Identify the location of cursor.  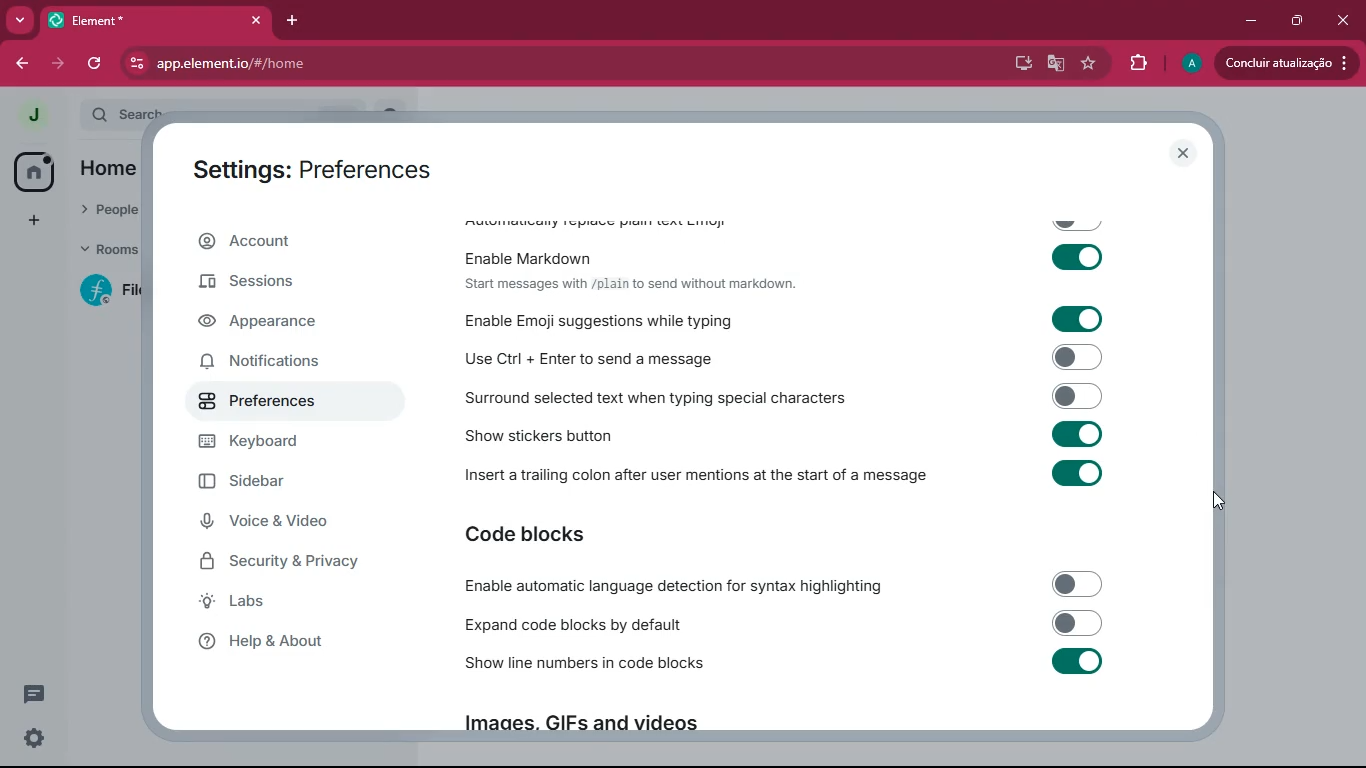
(1218, 499).